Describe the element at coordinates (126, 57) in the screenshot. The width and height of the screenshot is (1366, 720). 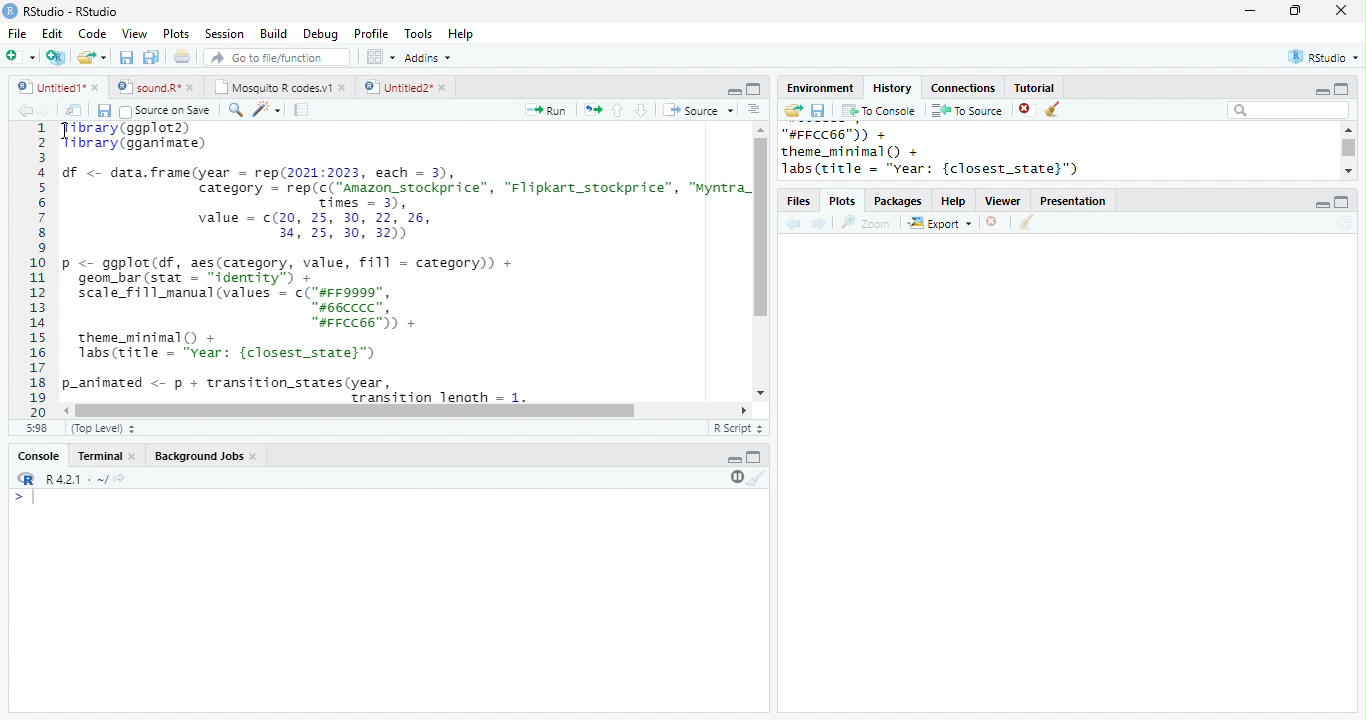
I see `save` at that location.